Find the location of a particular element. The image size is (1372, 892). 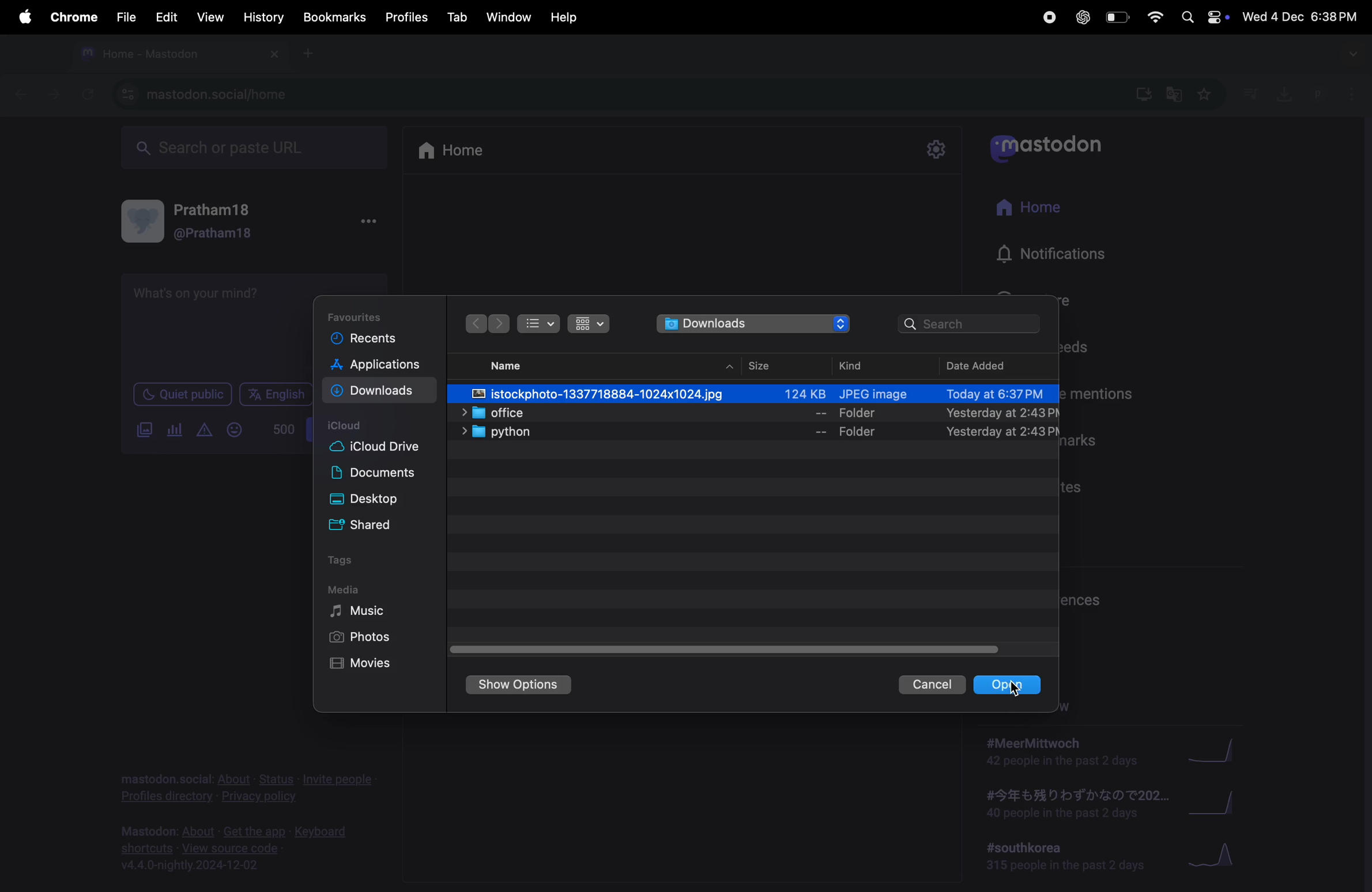

Graph is located at coordinates (1222, 803).